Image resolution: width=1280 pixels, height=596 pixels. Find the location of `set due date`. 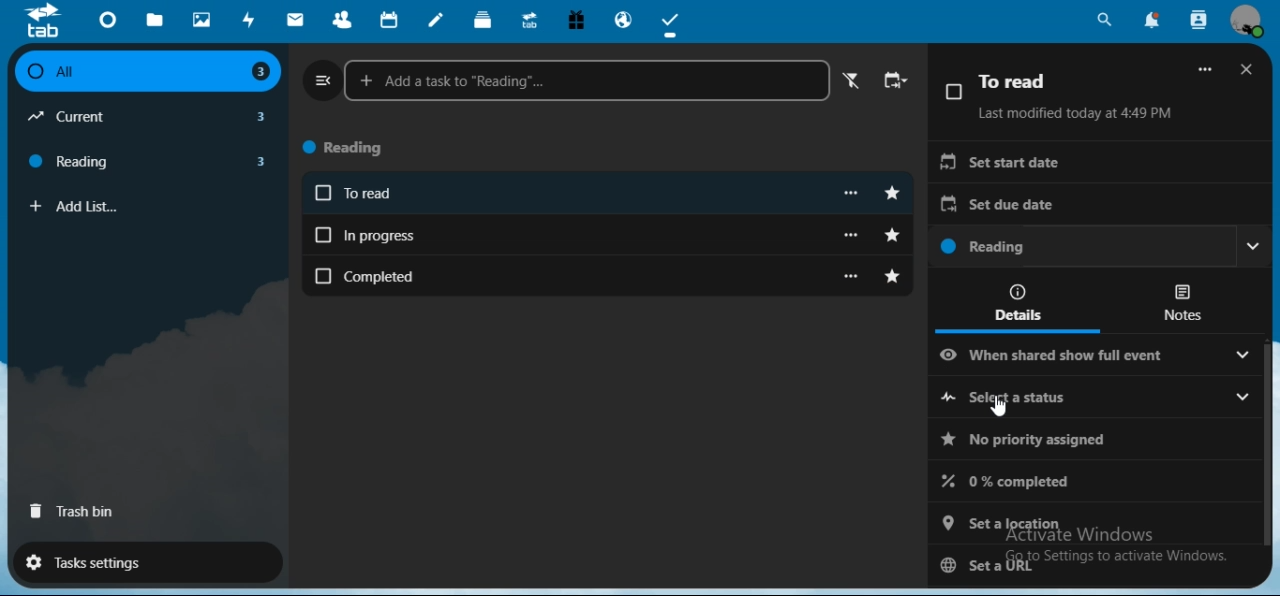

set due date is located at coordinates (1096, 206).